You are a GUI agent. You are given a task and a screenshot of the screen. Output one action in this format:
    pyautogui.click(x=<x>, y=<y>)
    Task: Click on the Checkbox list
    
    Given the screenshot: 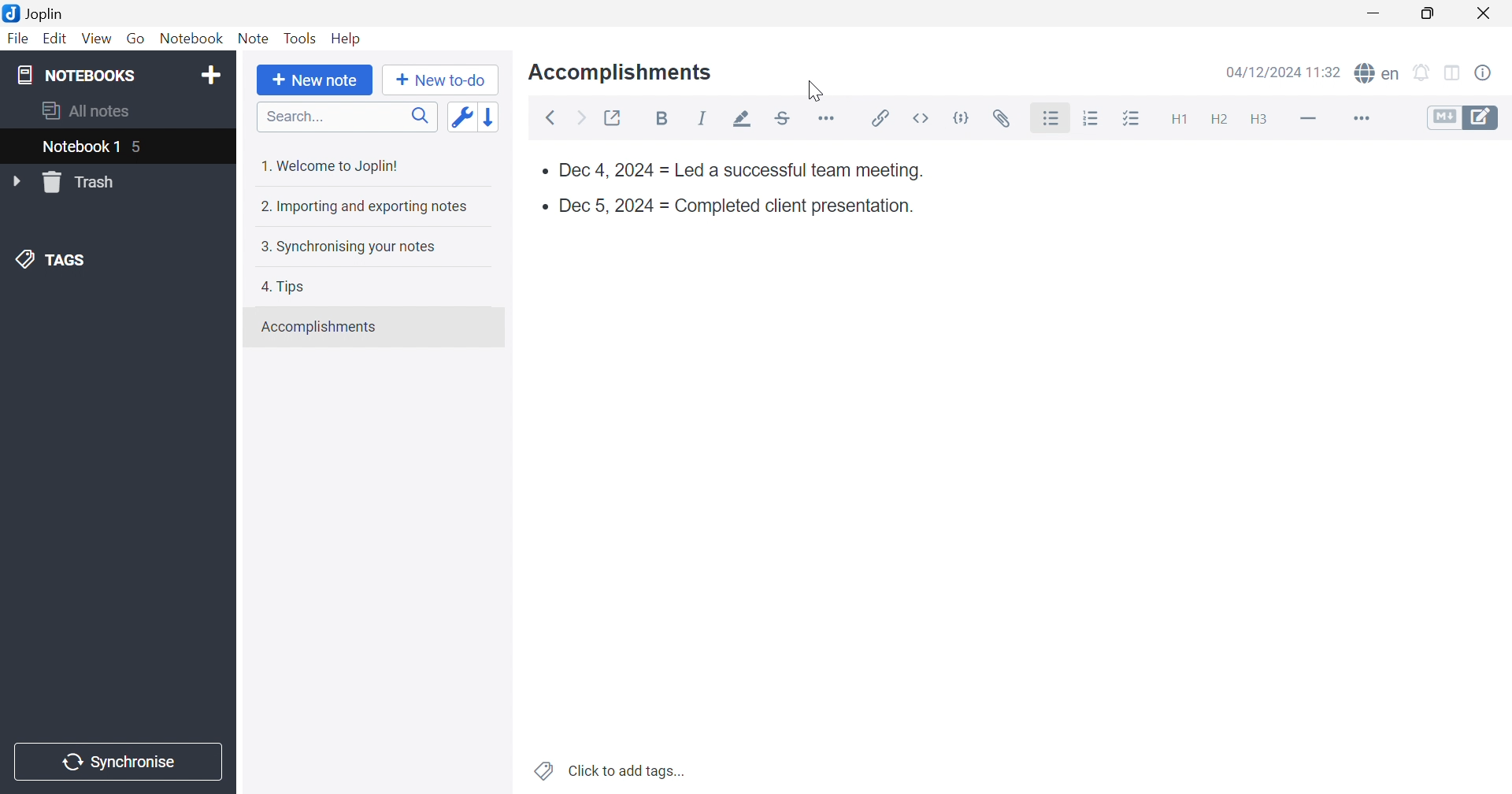 What is the action you would take?
    pyautogui.click(x=1135, y=120)
    